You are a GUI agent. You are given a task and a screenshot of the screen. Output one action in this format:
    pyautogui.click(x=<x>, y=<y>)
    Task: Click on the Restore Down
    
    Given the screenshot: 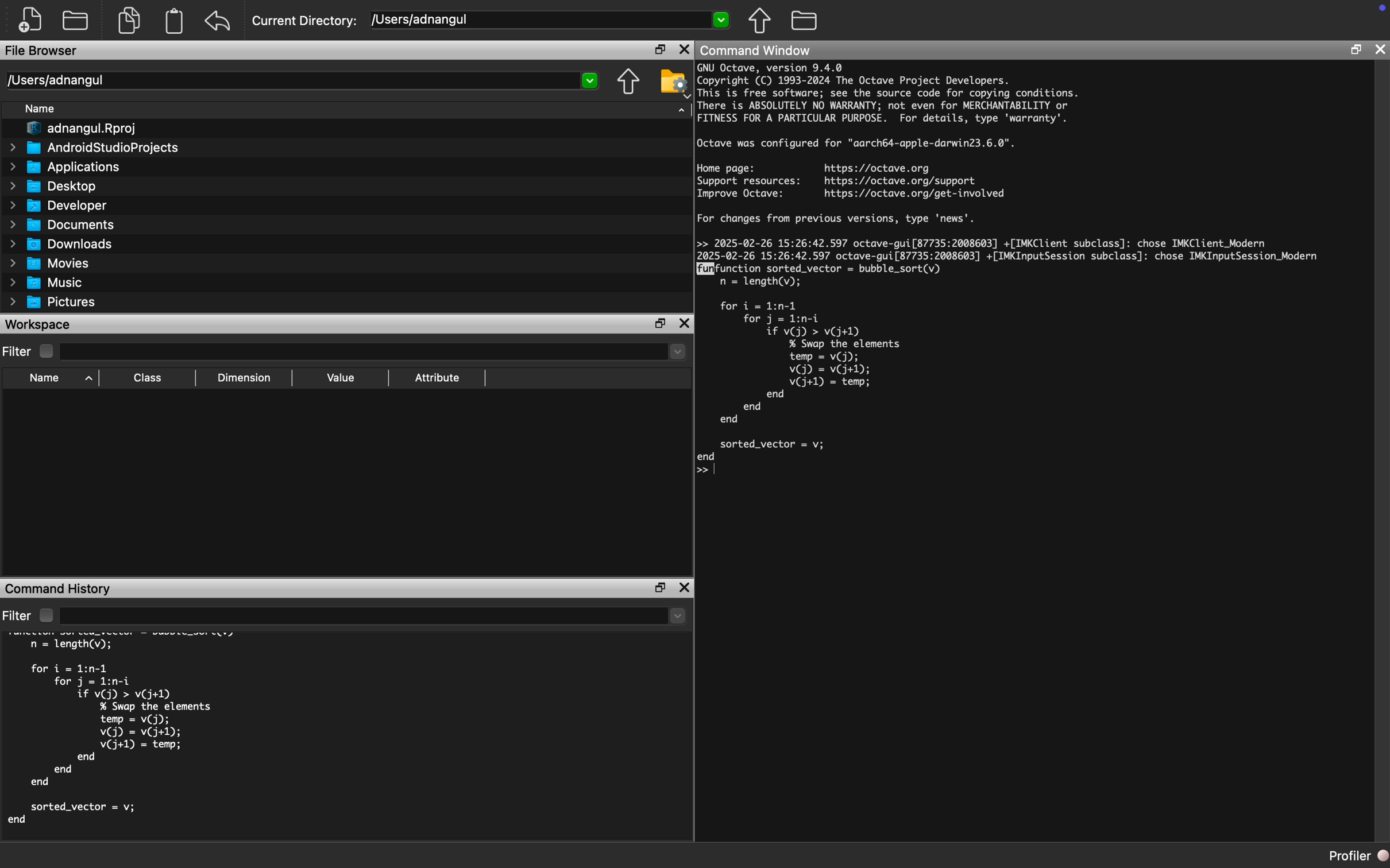 What is the action you would take?
    pyautogui.click(x=660, y=324)
    